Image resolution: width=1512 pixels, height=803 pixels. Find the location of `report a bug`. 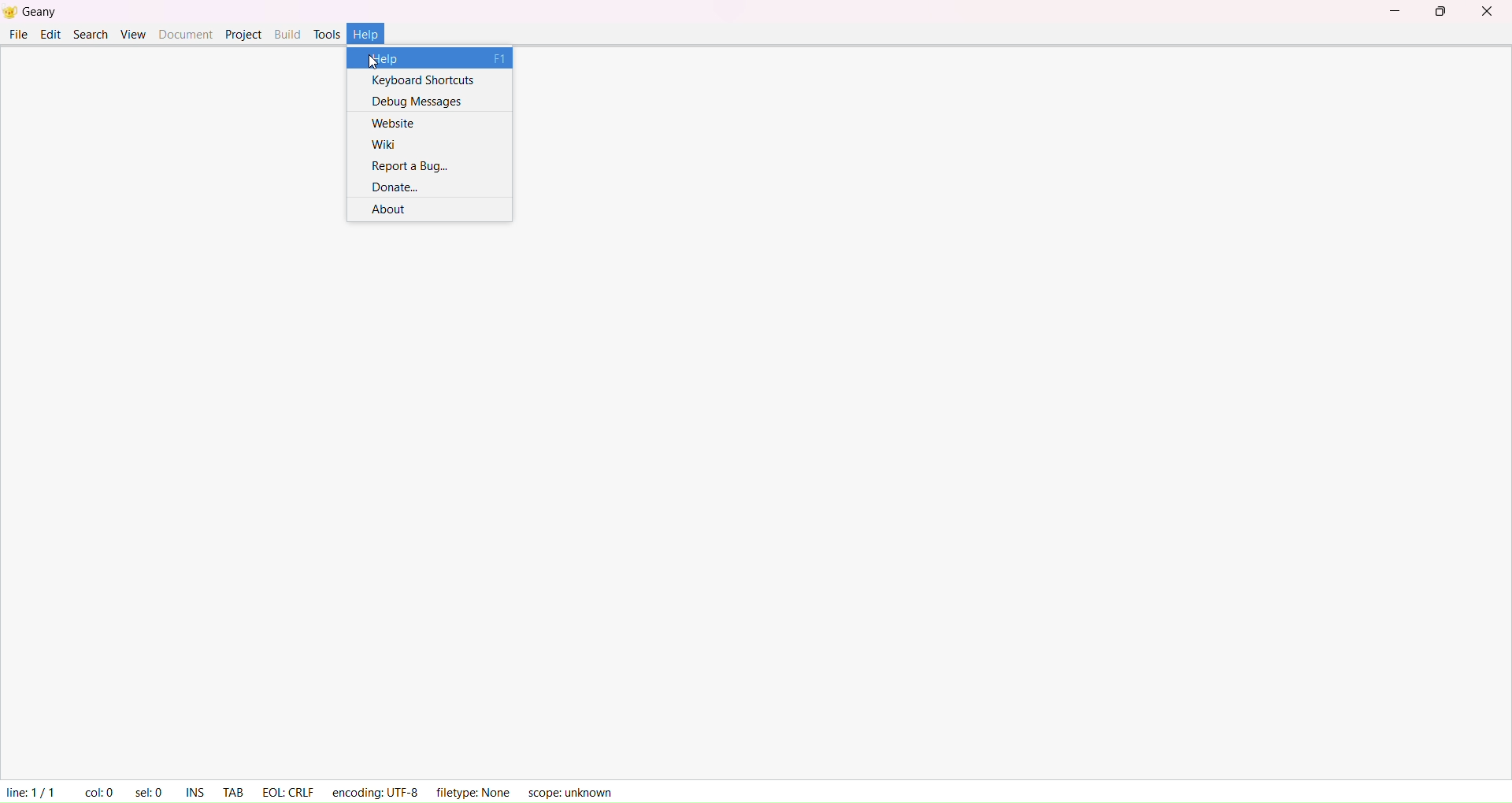

report a bug is located at coordinates (406, 165).